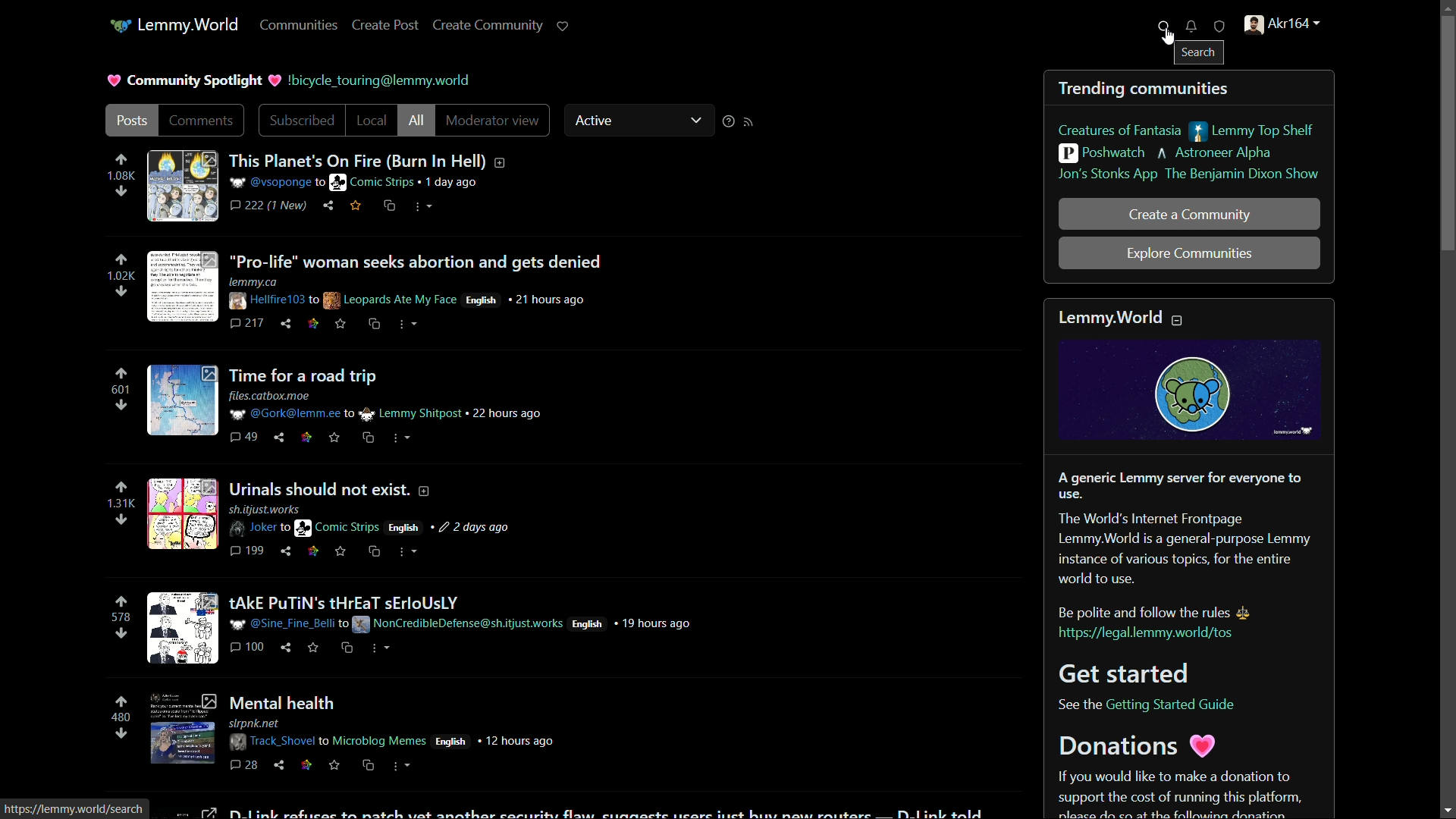  I want to click on heart symbol, so click(111, 81).